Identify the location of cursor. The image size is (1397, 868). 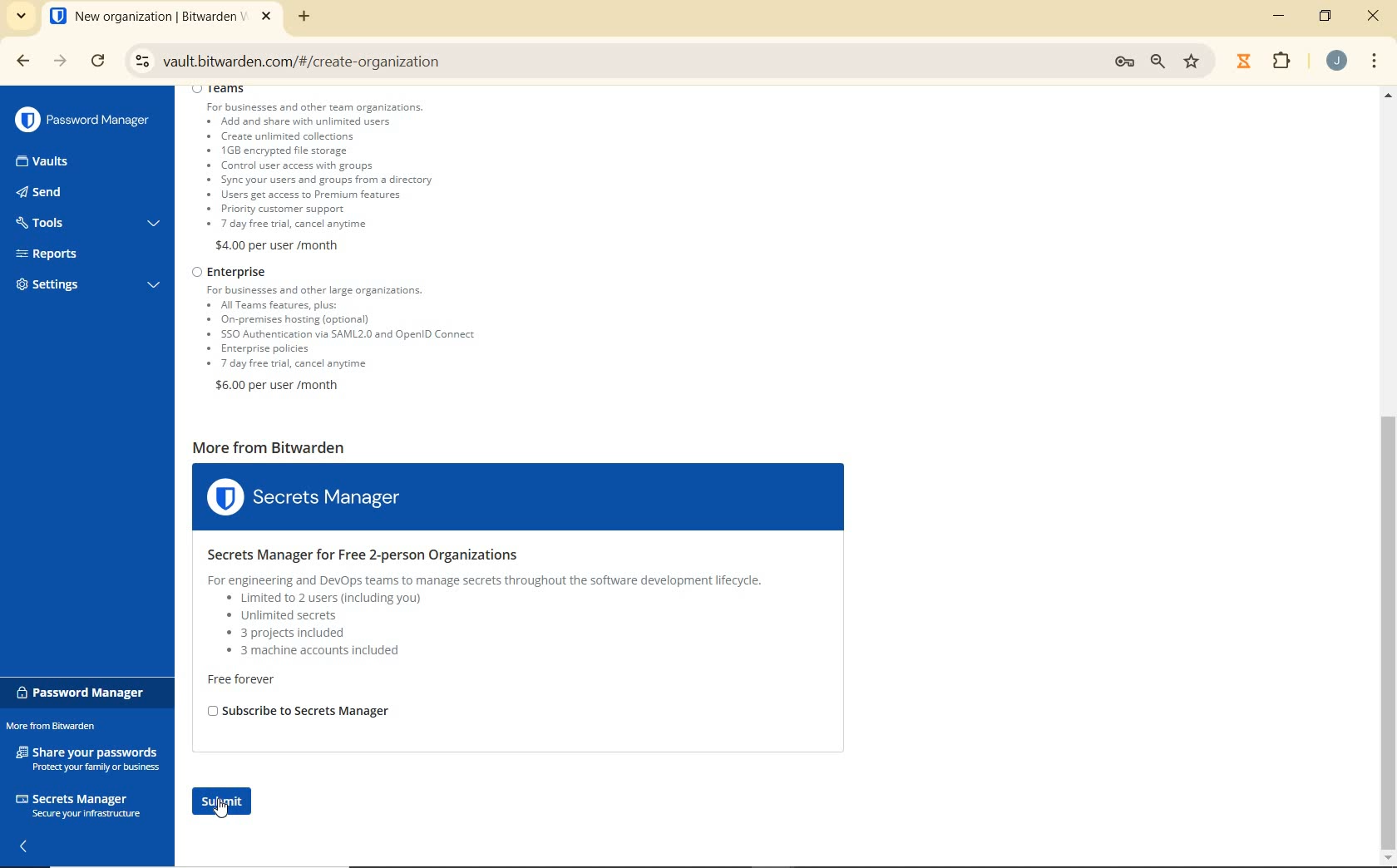
(223, 816).